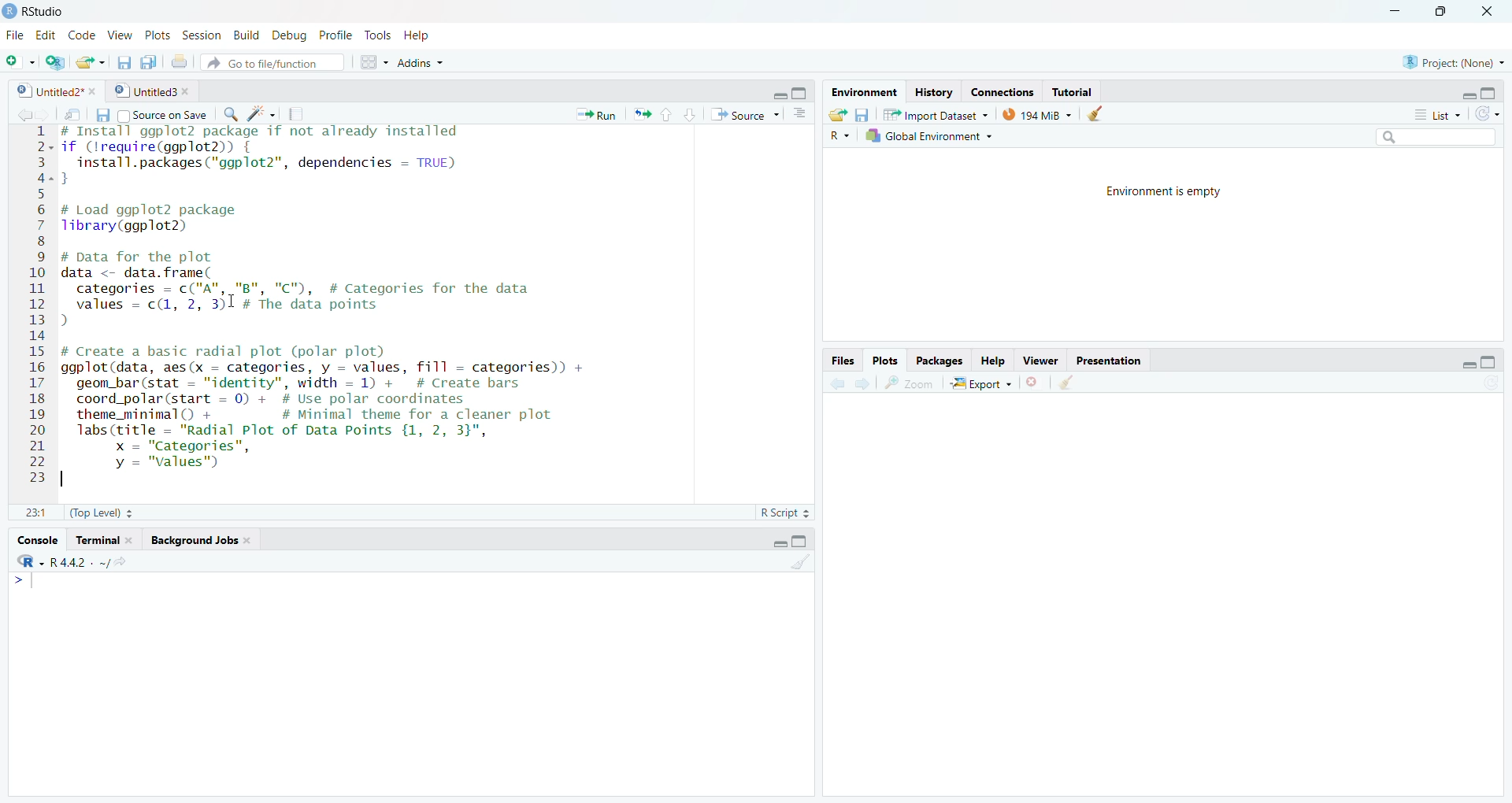  I want to click on Source , so click(746, 115).